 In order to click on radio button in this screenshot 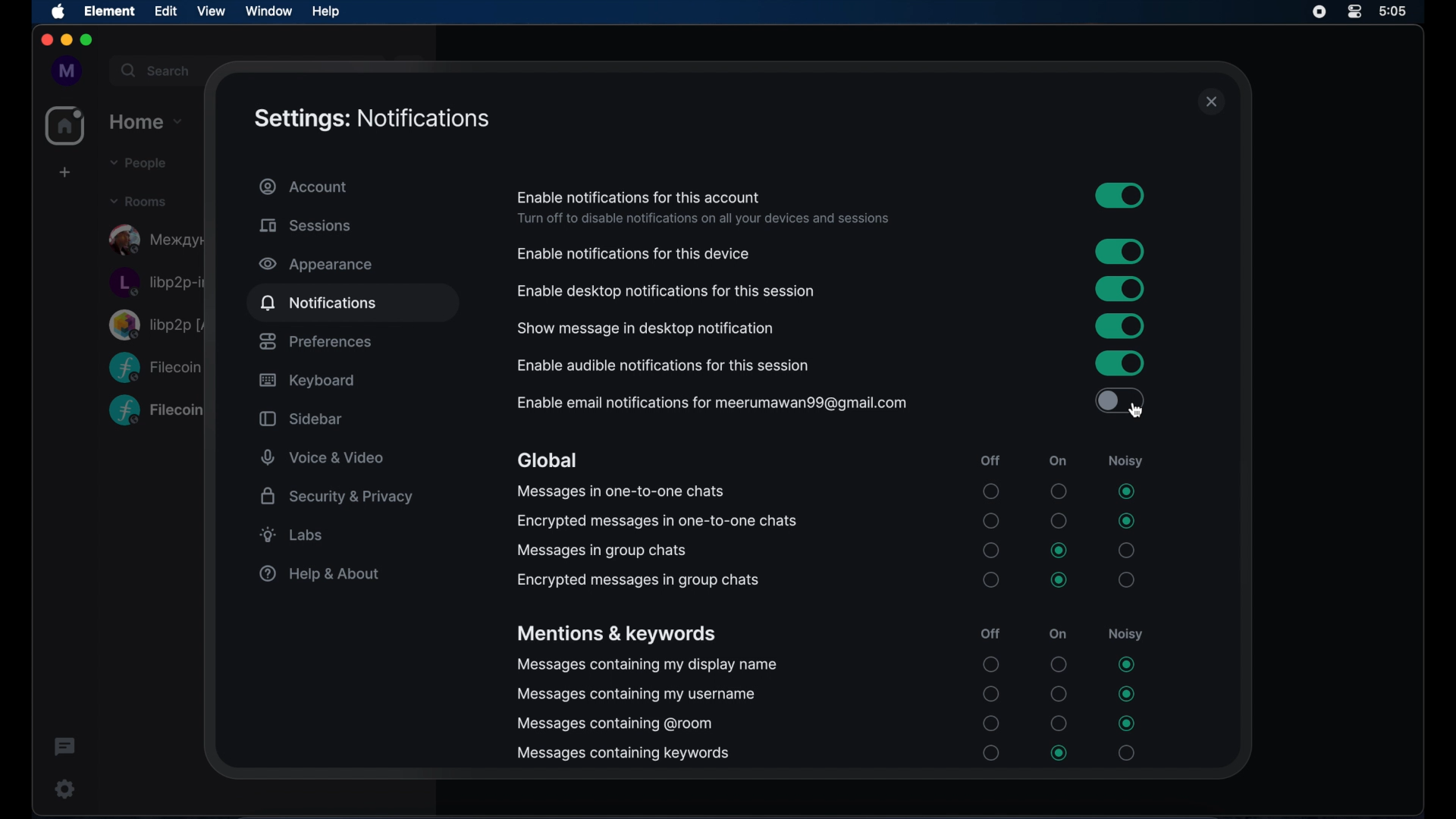, I will do `click(1059, 723)`.